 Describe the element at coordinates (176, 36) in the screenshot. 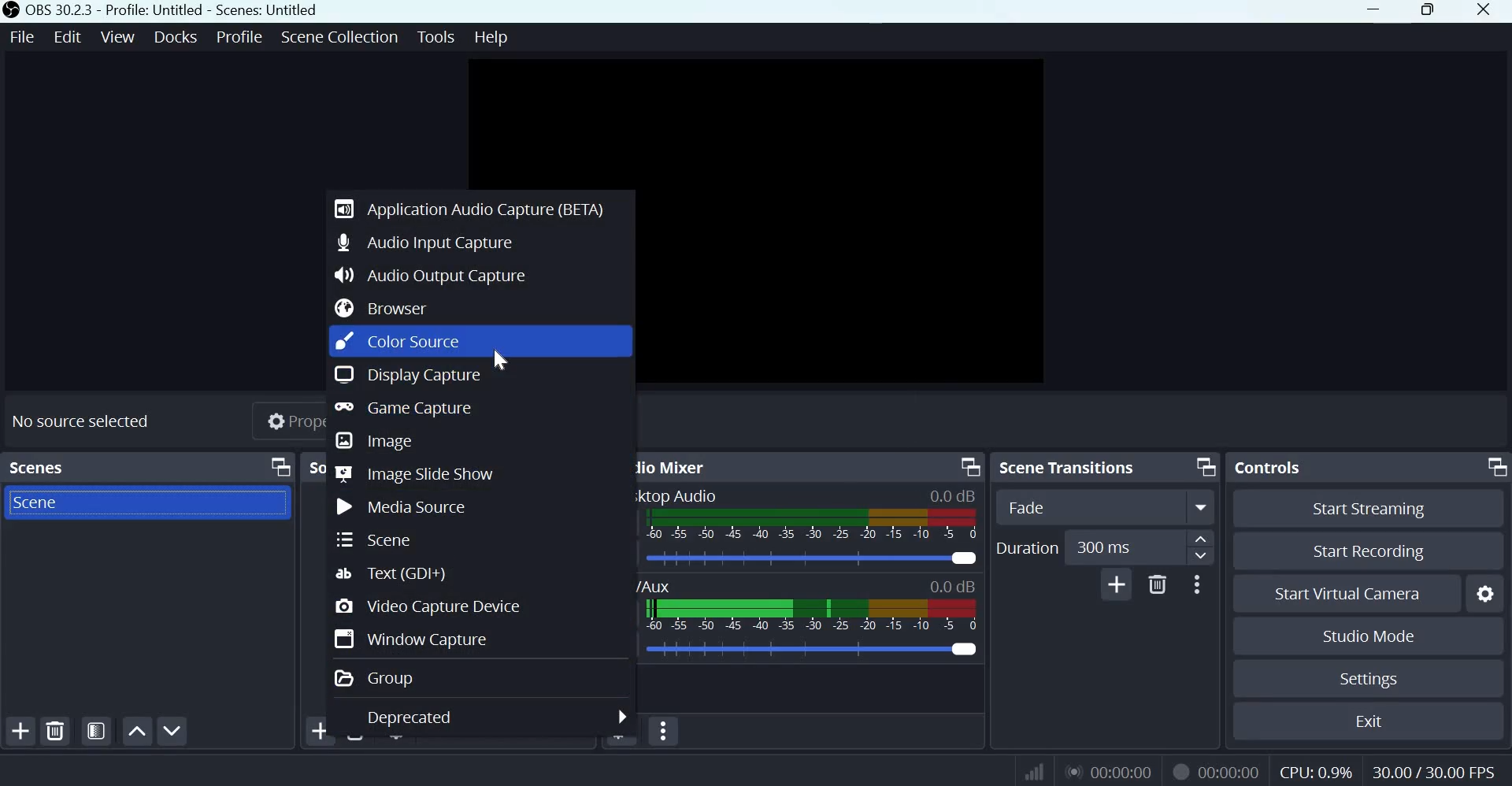

I see `Docks` at that location.